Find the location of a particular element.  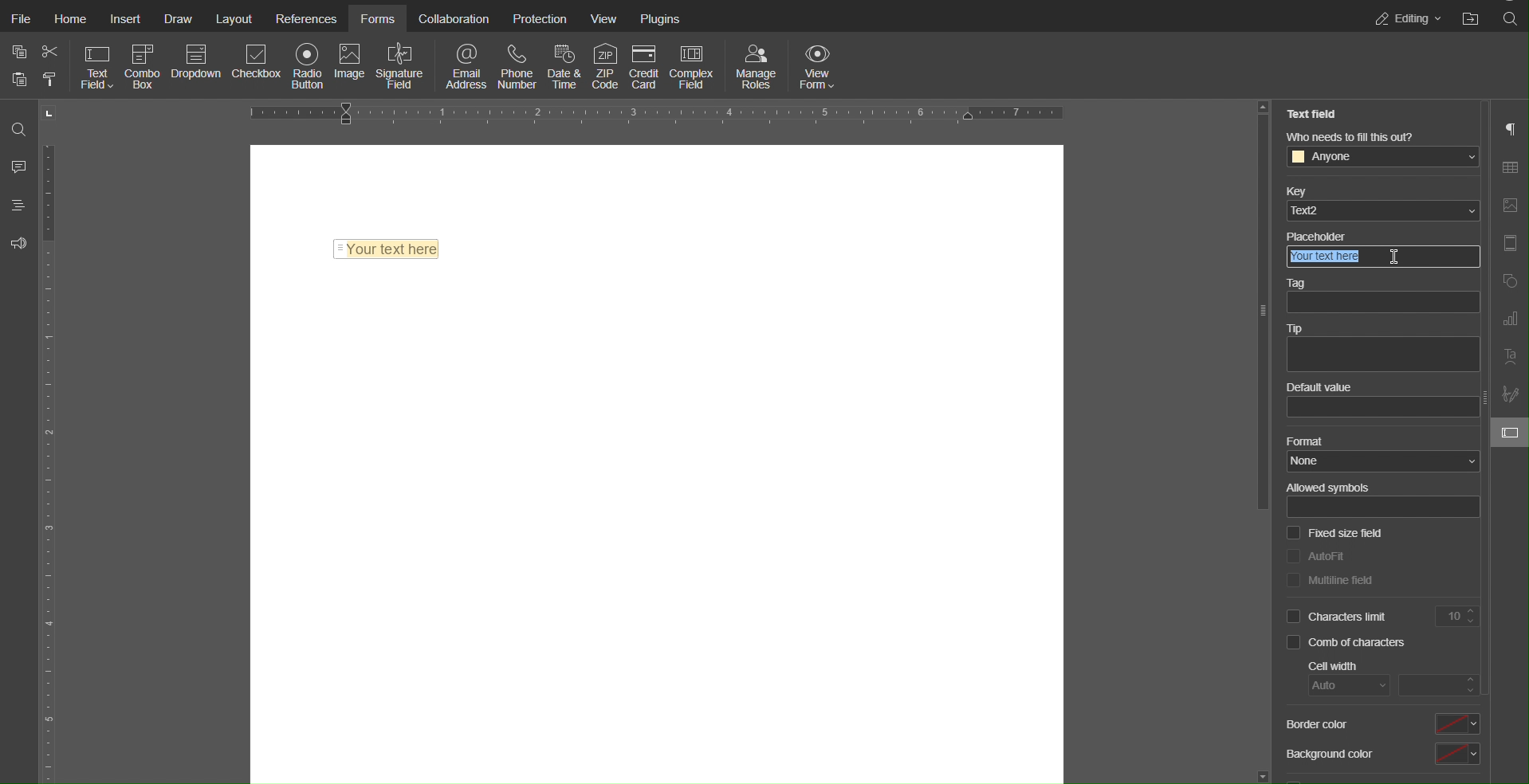

Comment is located at coordinates (19, 163).